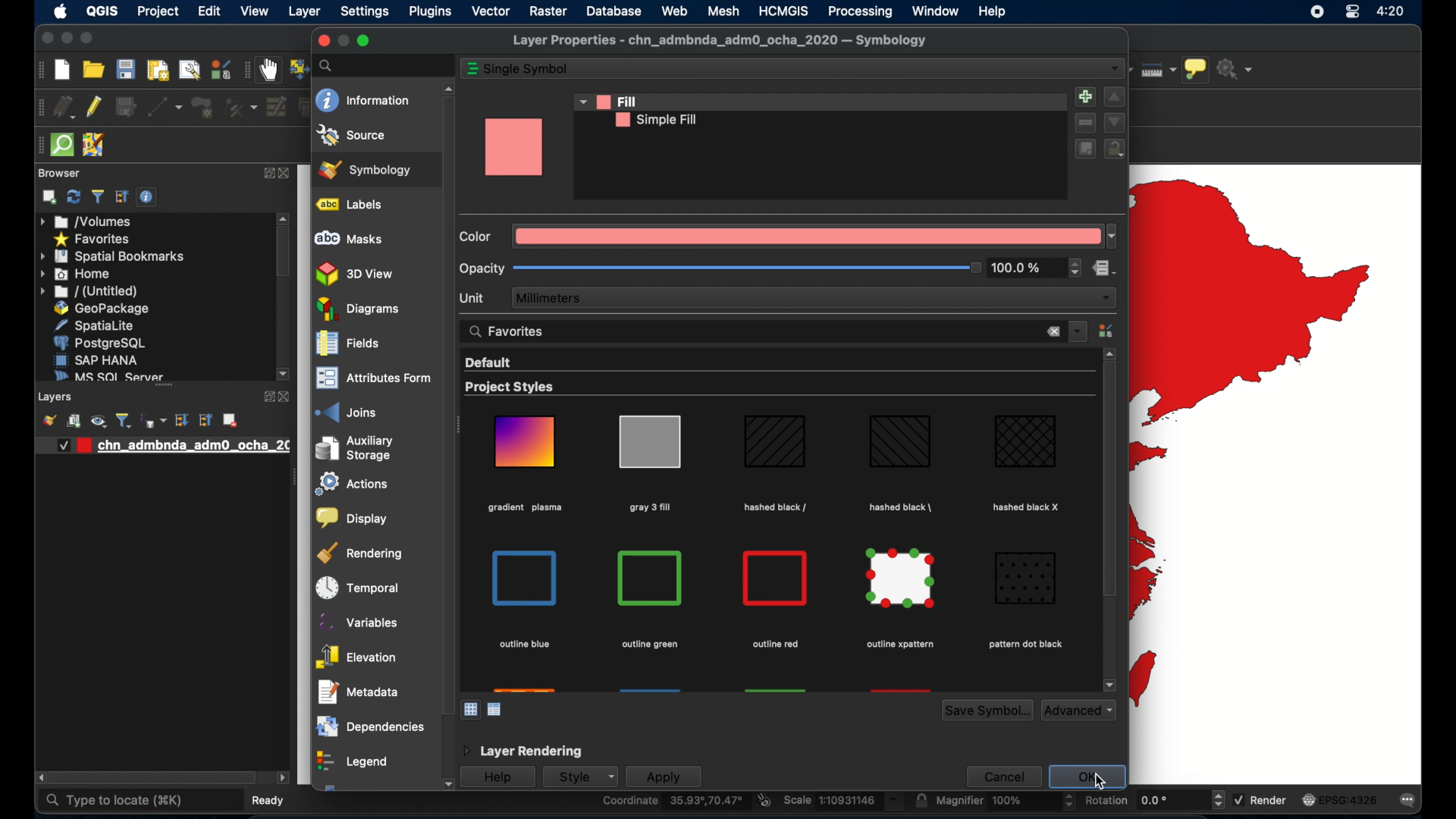  I want to click on spatiallite, so click(99, 325).